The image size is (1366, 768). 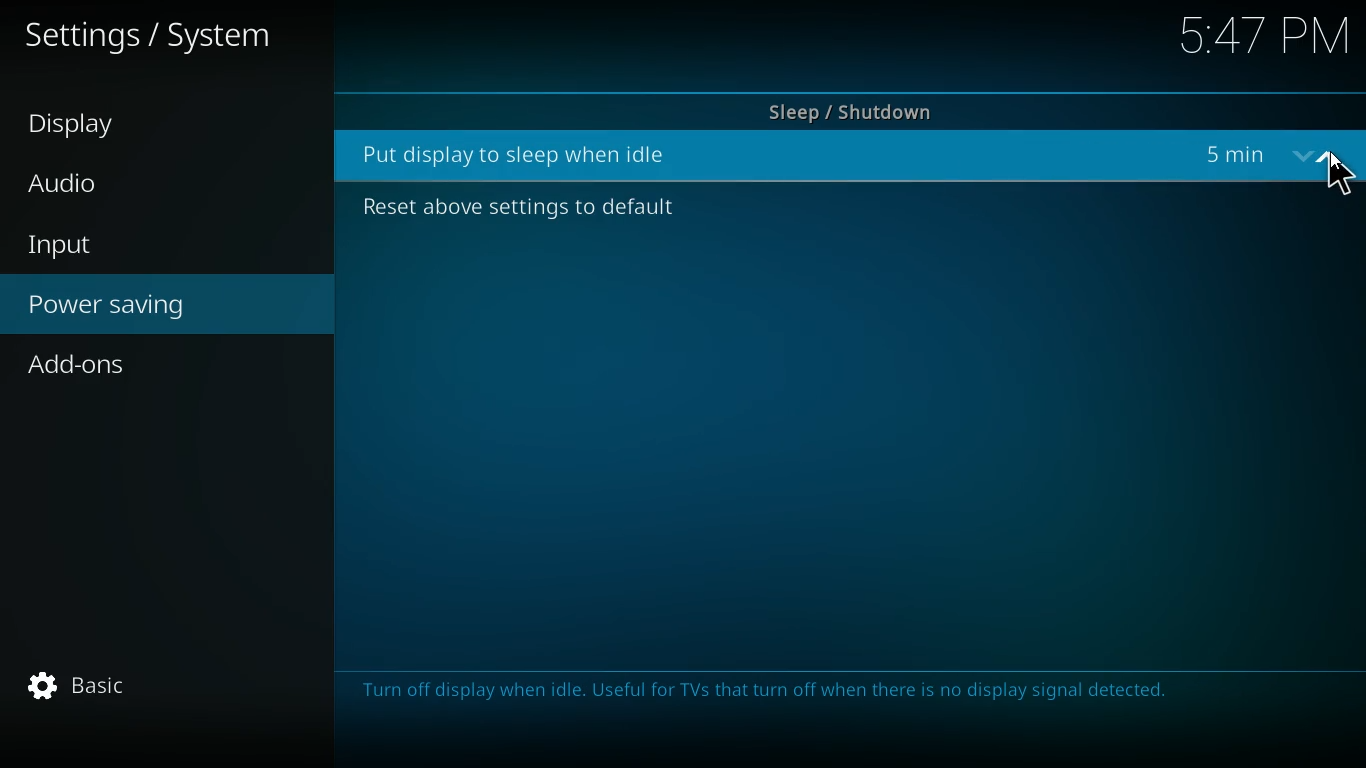 What do you see at coordinates (77, 684) in the screenshot?
I see `basic` at bounding box center [77, 684].